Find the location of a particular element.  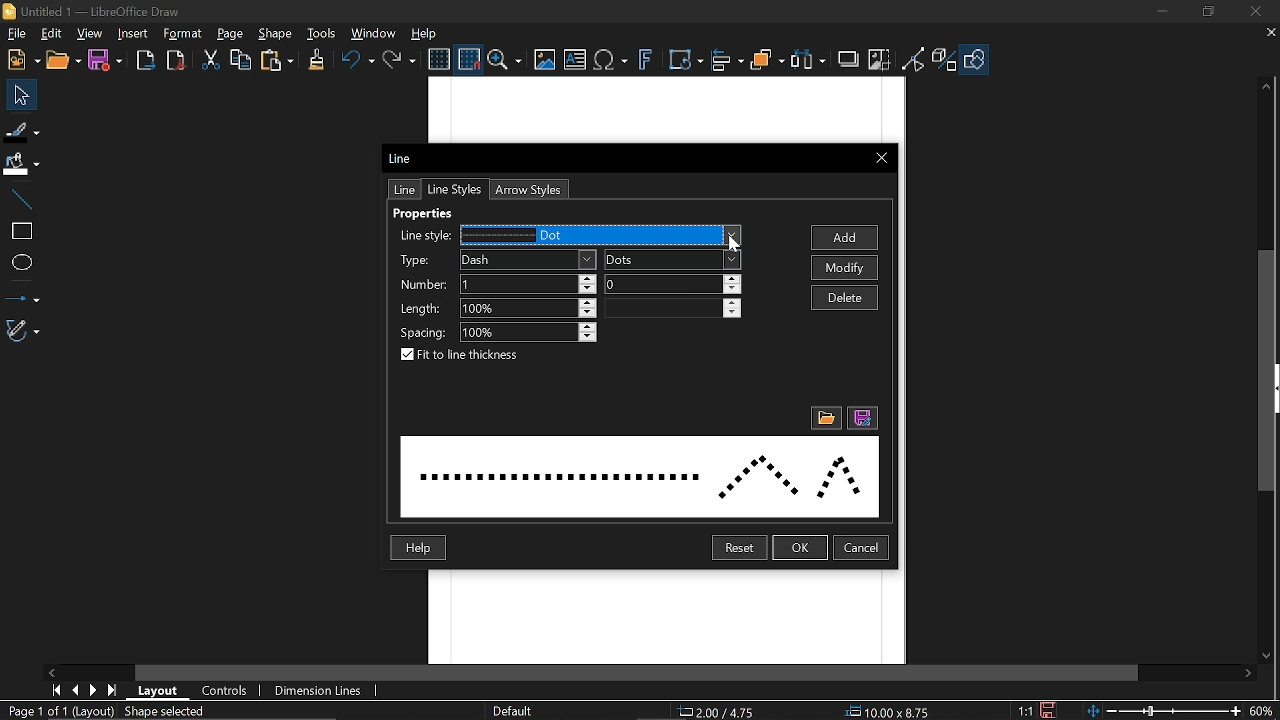

dotted lines is located at coordinates (640, 474).